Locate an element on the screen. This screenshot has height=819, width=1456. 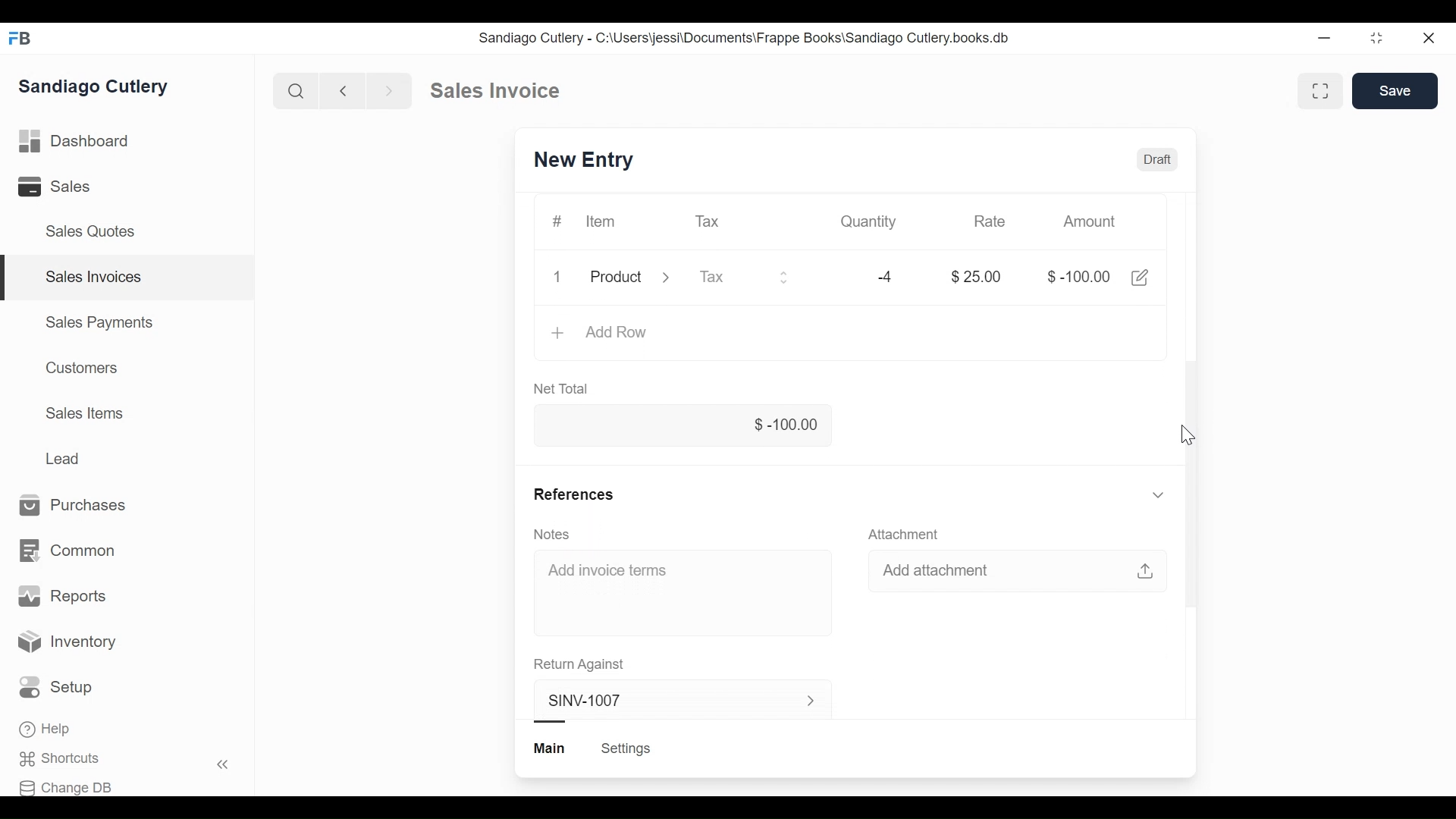
Tax is located at coordinates (743, 276).